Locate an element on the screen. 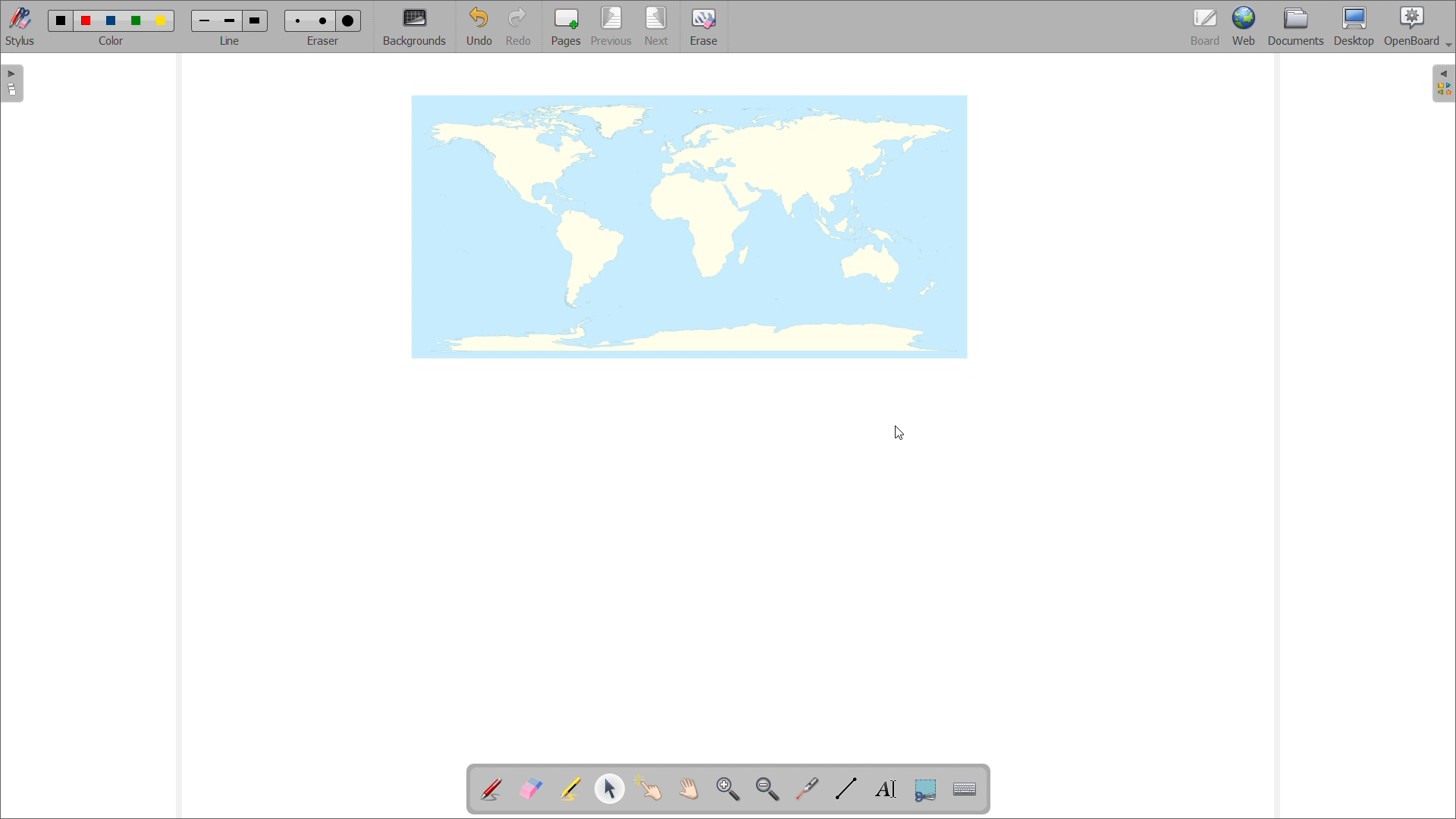  web is located at coordinates (1246, 27).